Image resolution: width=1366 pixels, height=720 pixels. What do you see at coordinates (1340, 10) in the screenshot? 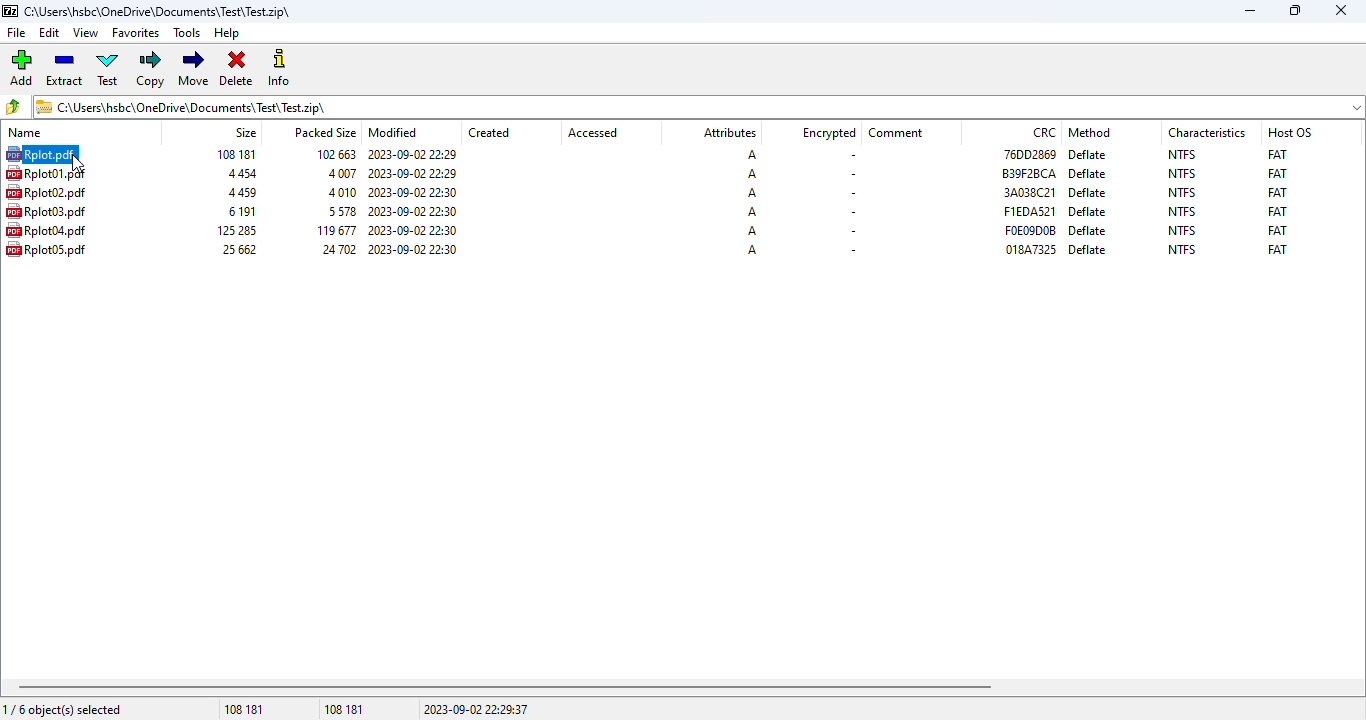
I see `close` at bounding box center [1340, 10].